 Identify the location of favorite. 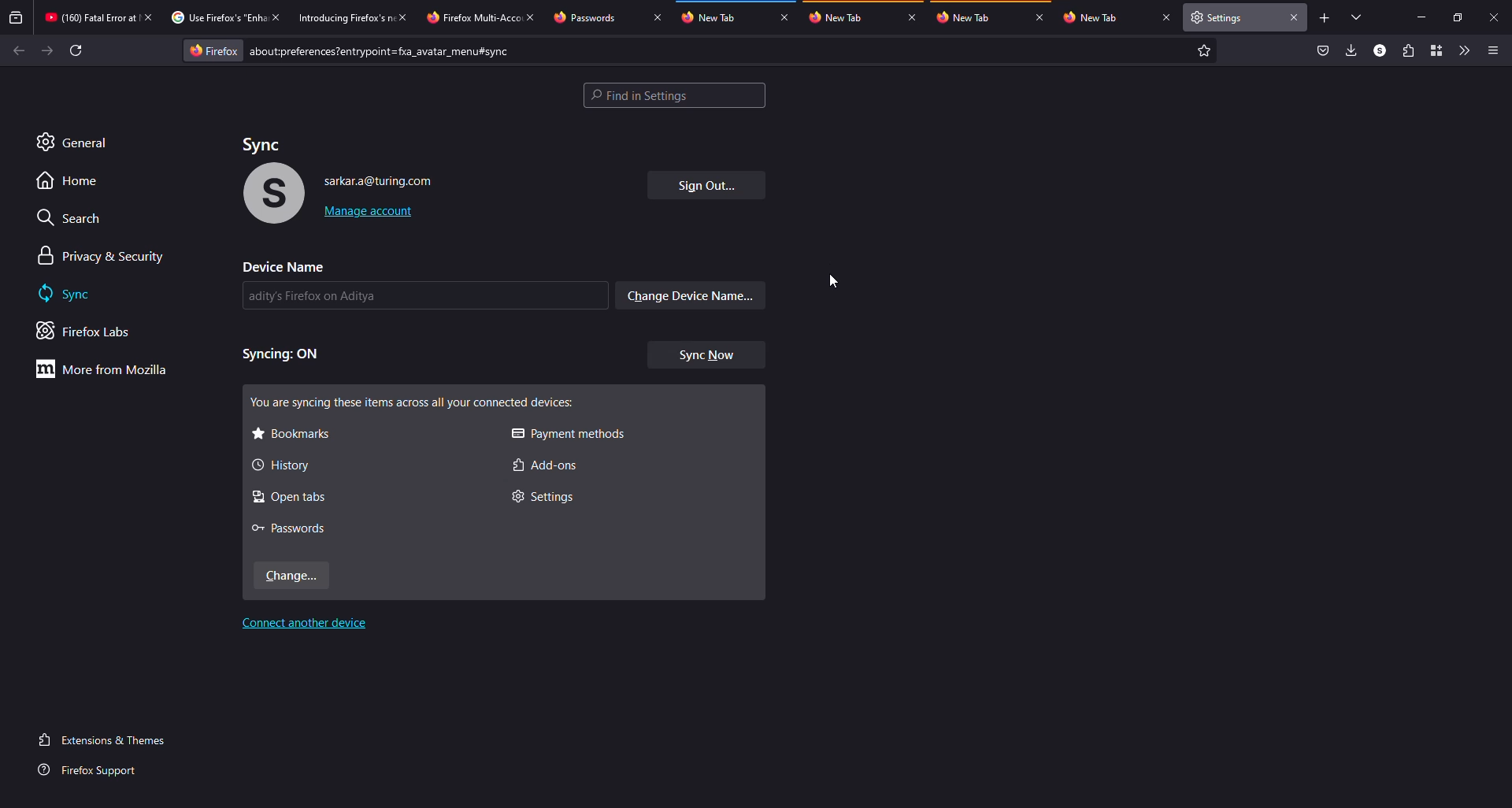
(1203, 51).